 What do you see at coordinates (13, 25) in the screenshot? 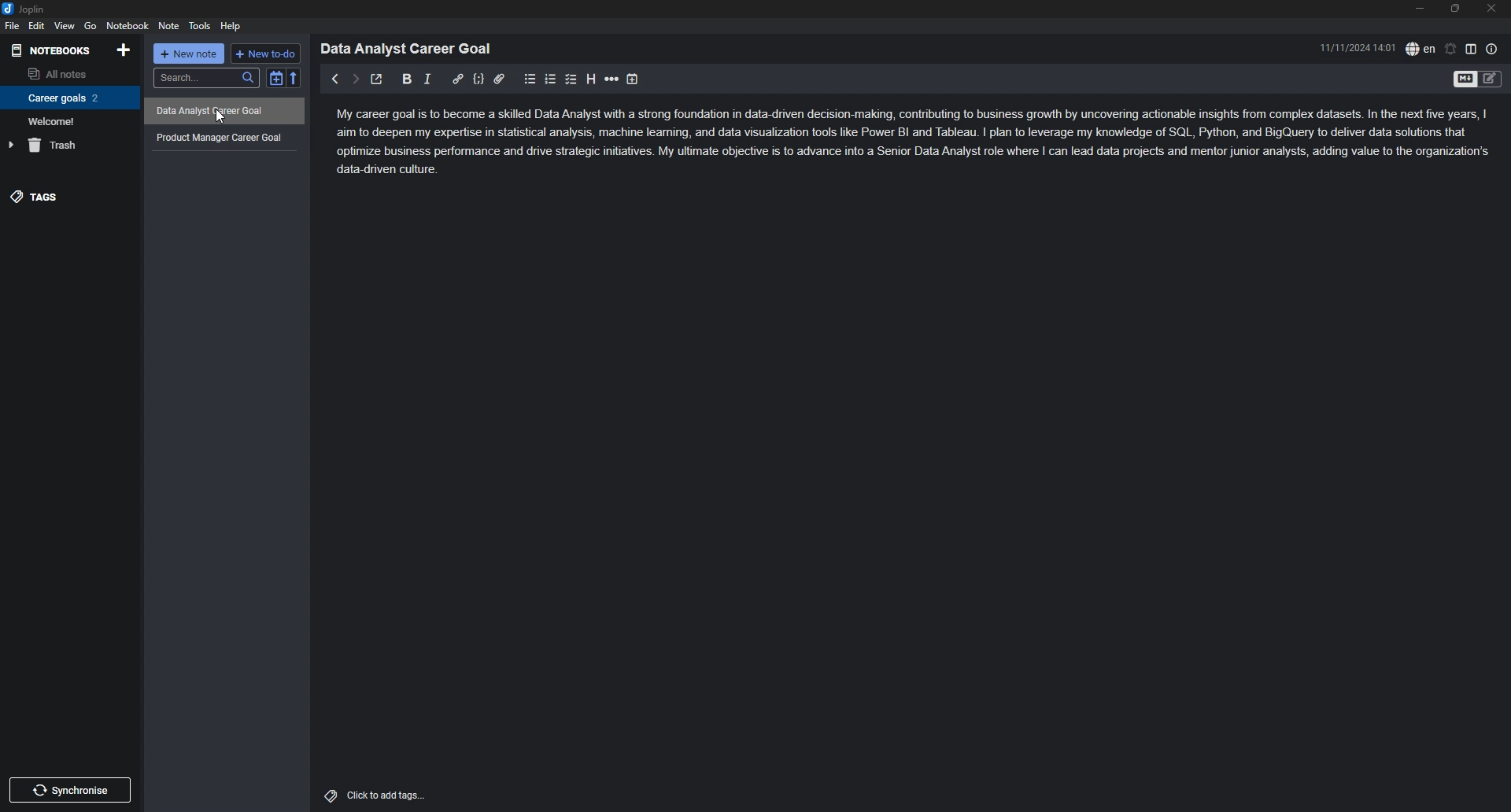
I see `file` at bounding box center [13, 25].